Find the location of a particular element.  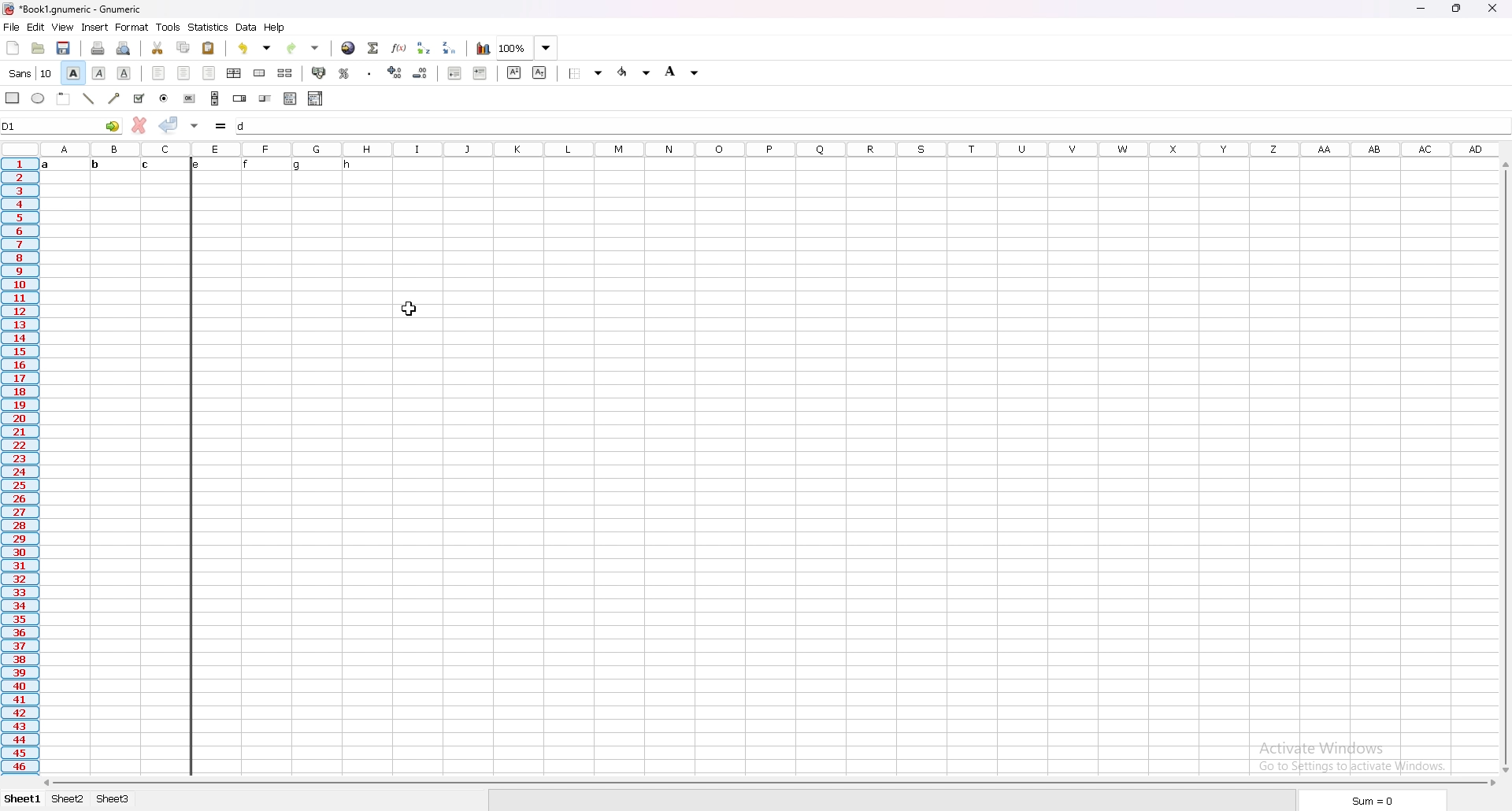

accept changes in all cells is located at coordinates (196, 127).